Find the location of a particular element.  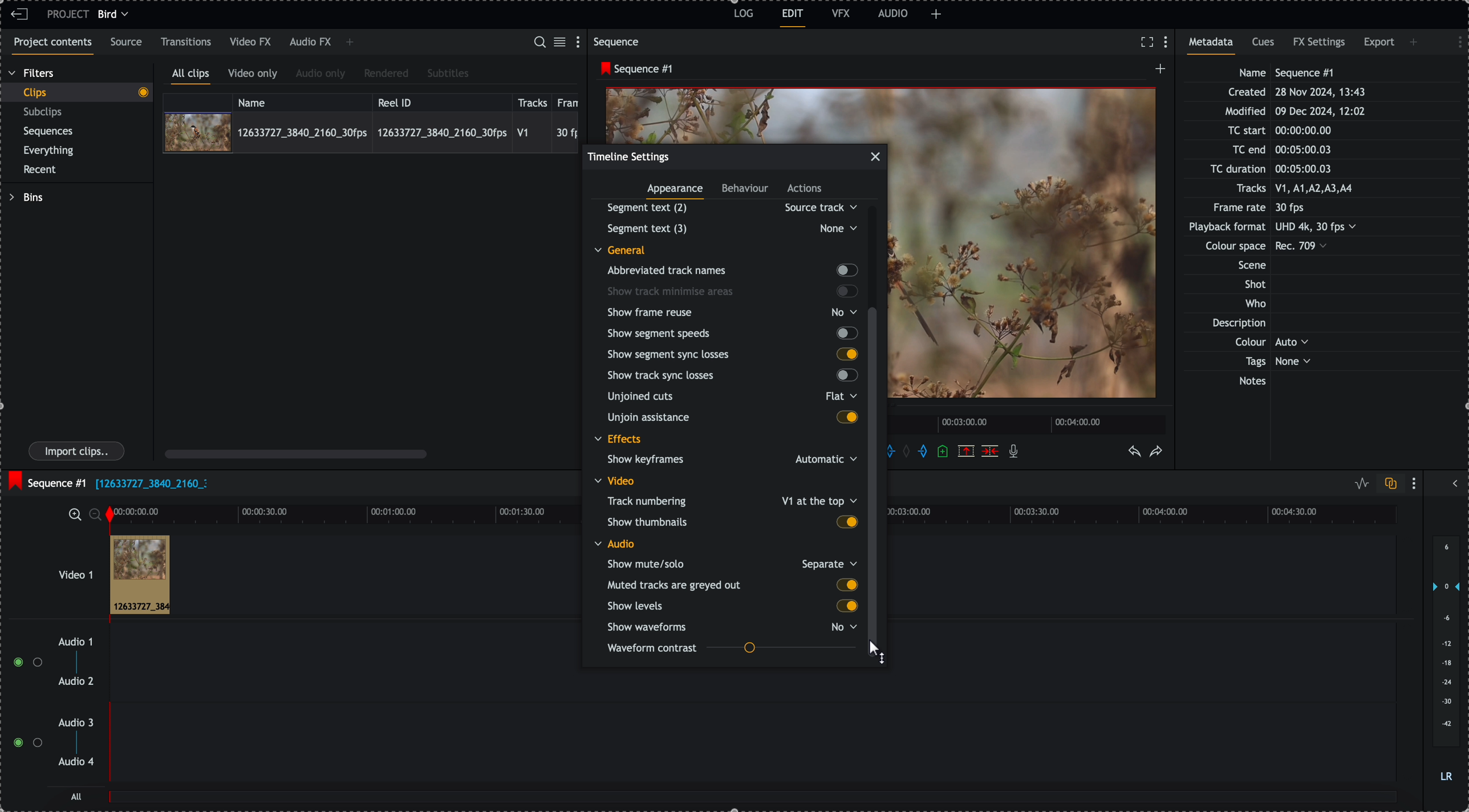

close popup is located at coordinates (875, 157).